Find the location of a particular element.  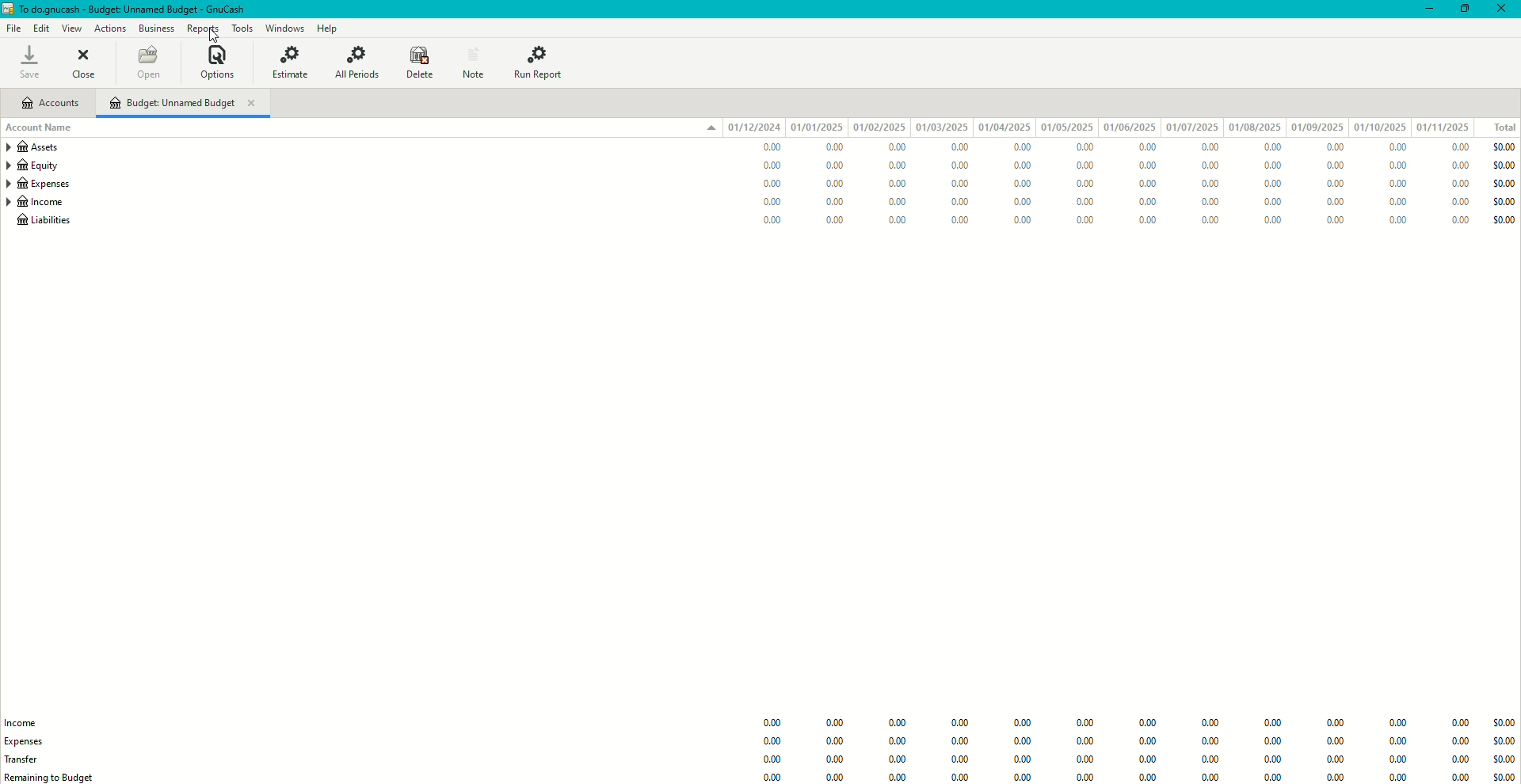

todo.gnucash - budget: unnamed budget - gnucash is located at coordinates (131, 10).